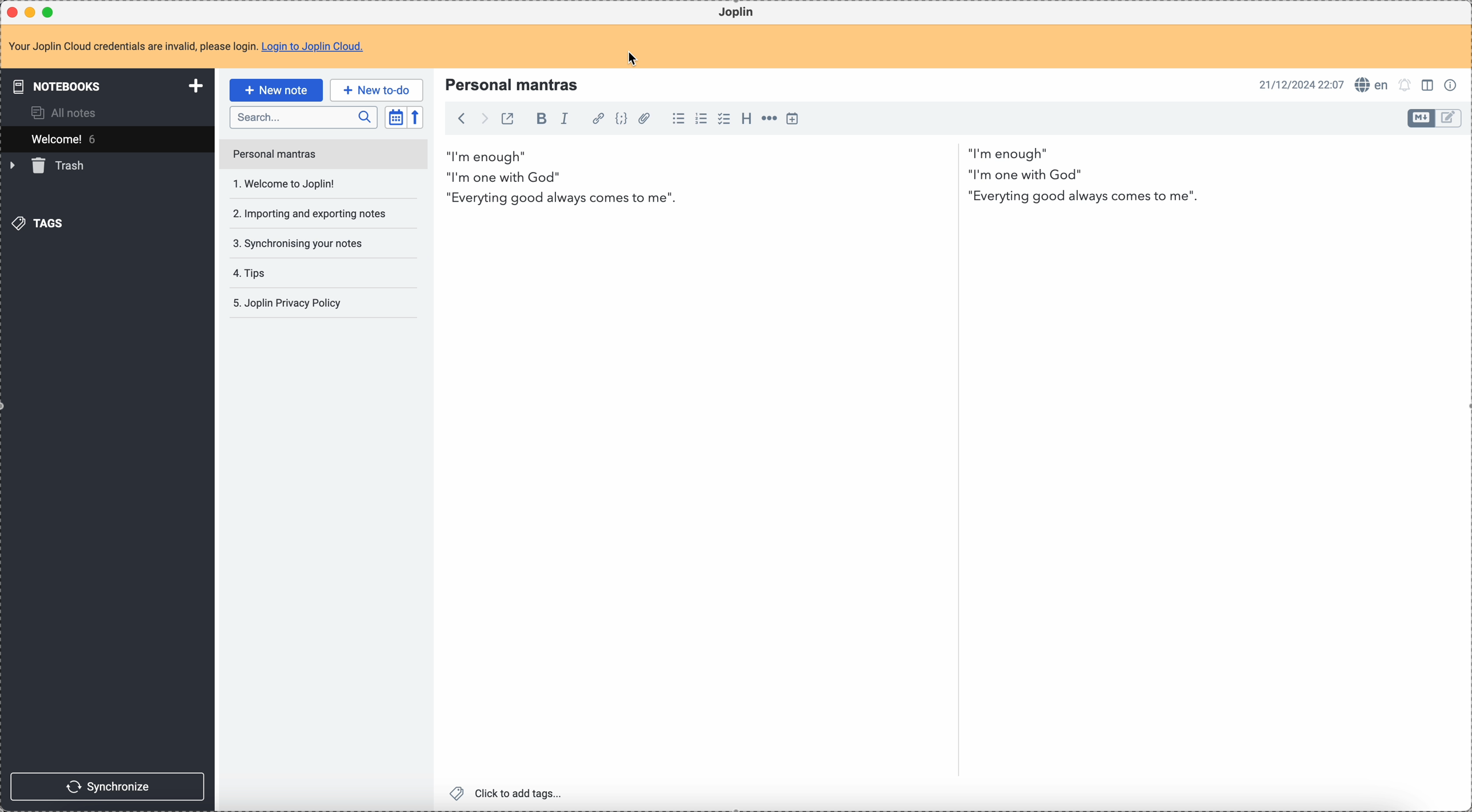  I want to click on Personal mantras, so click(512, 85).